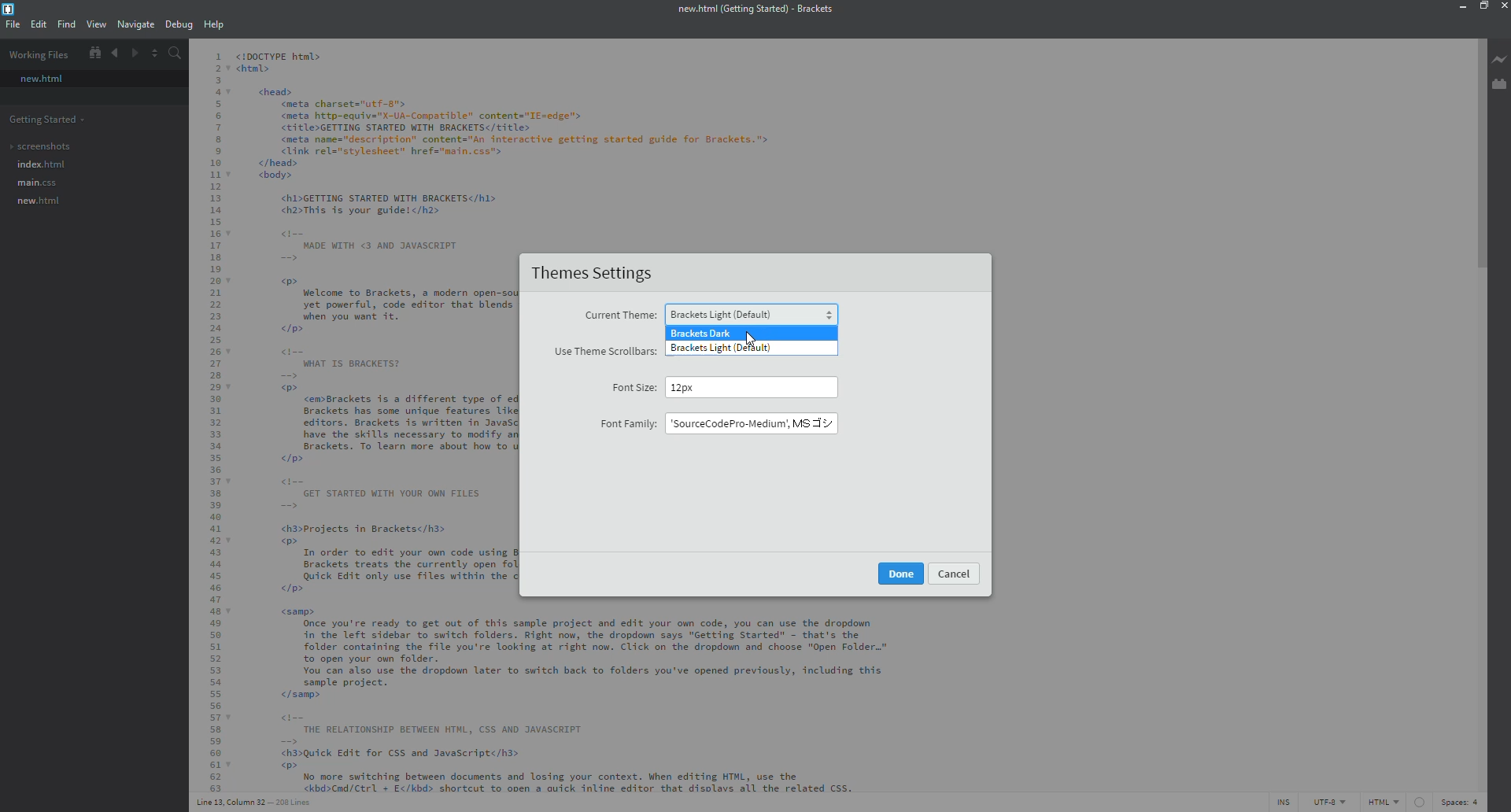 This screenshot has height=812, width=1511. I want to click on forward, so click(133, 54).